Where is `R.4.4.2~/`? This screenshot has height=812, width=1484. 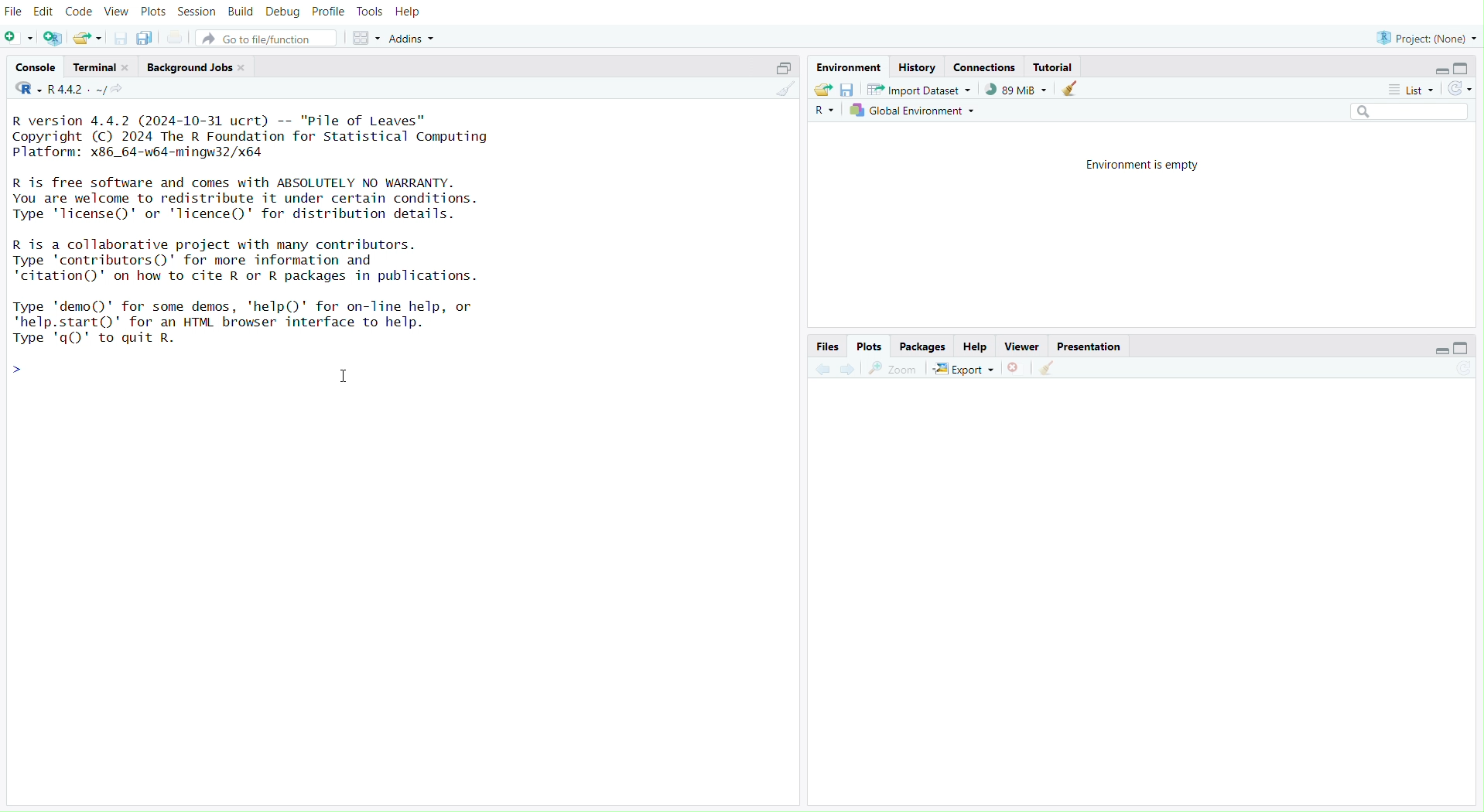 R.4.4.2~/ is located at coordinates (78, 90).